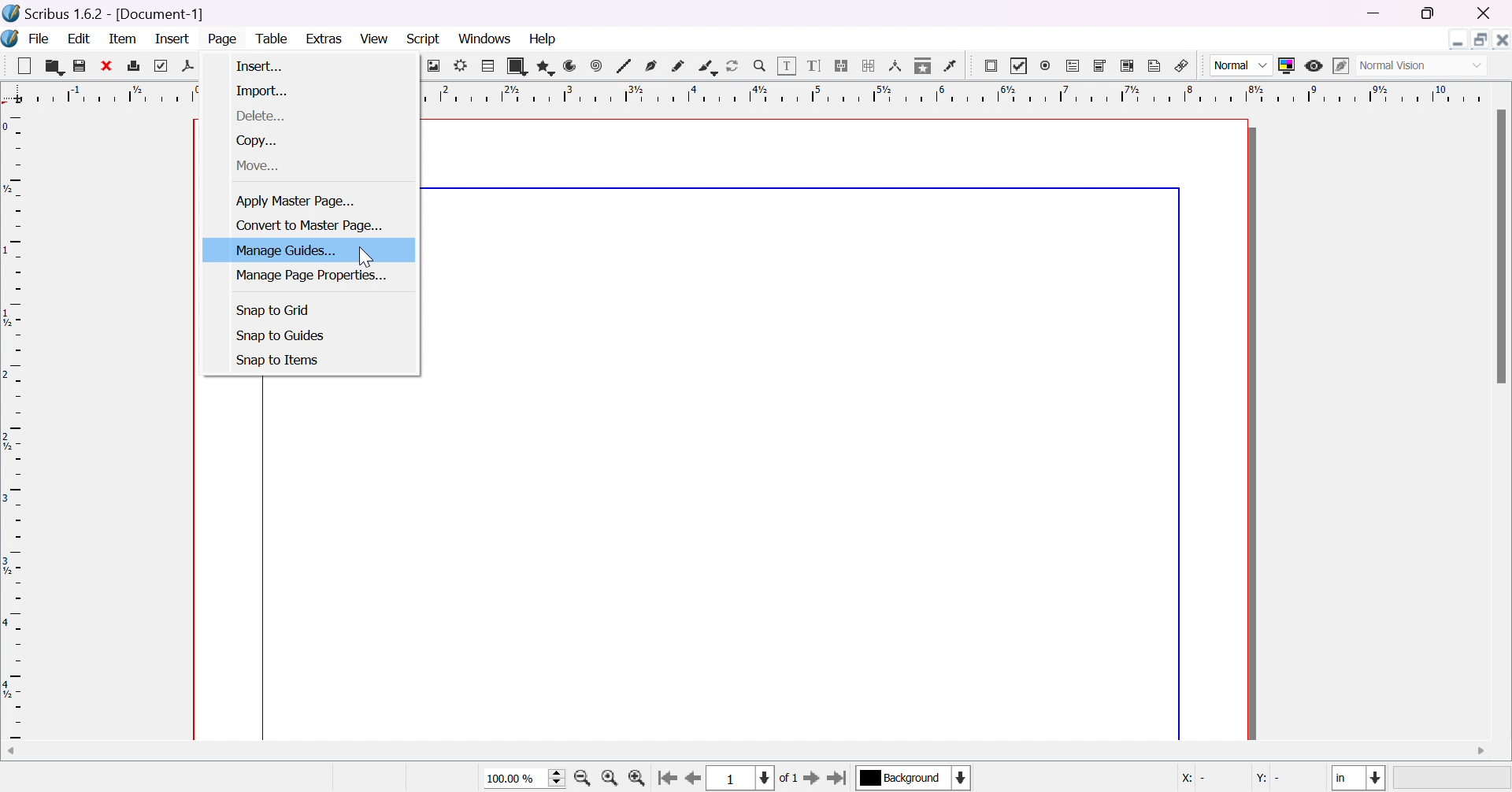 Image resolution: width=1512 pixels, height=792 pixels. What do you see at coordinates (962, 777) in the screenshot?
I see `select current layer` at bounding box center [962, 777].